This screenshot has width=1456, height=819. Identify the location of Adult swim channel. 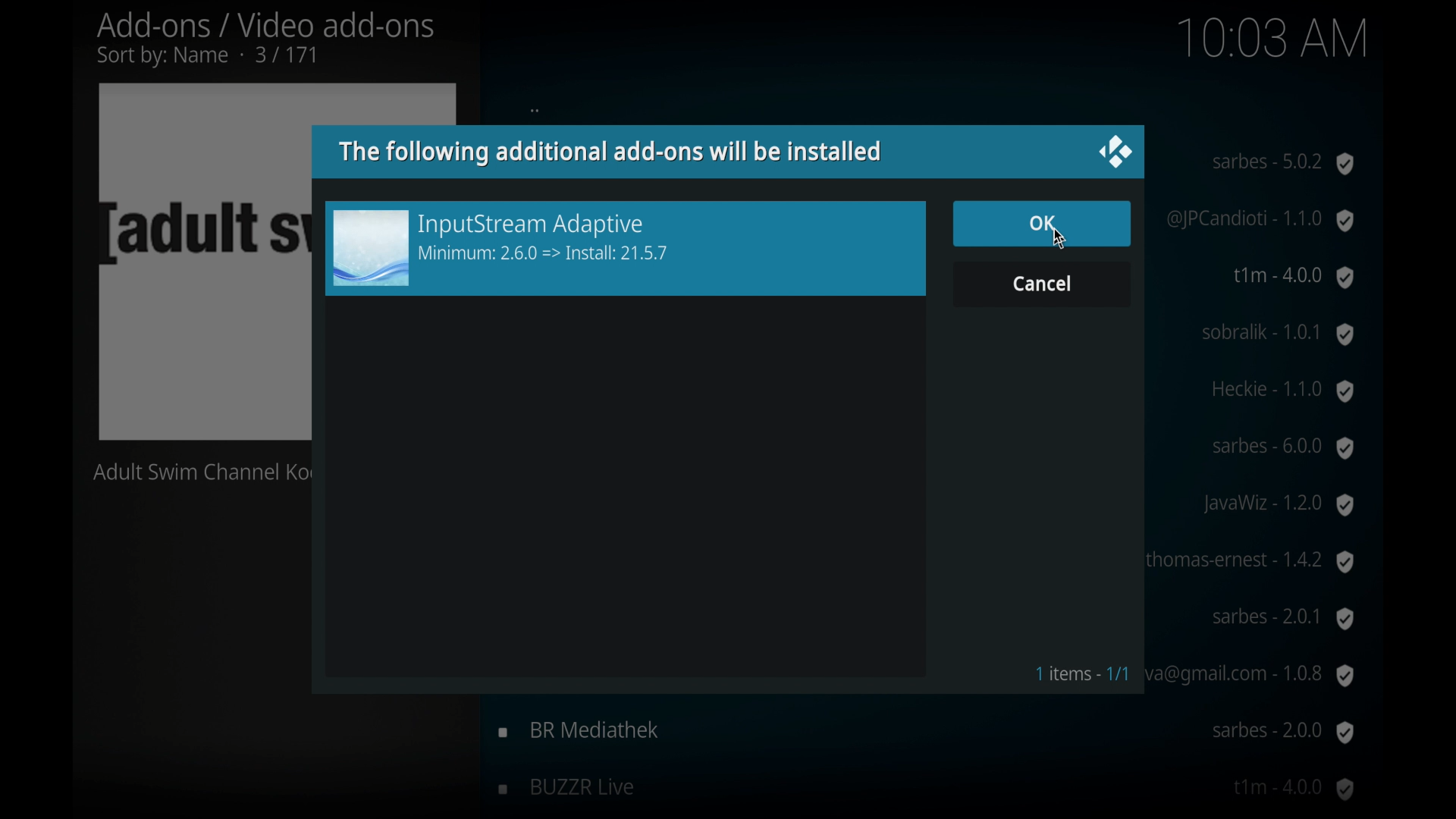
(193, 473).